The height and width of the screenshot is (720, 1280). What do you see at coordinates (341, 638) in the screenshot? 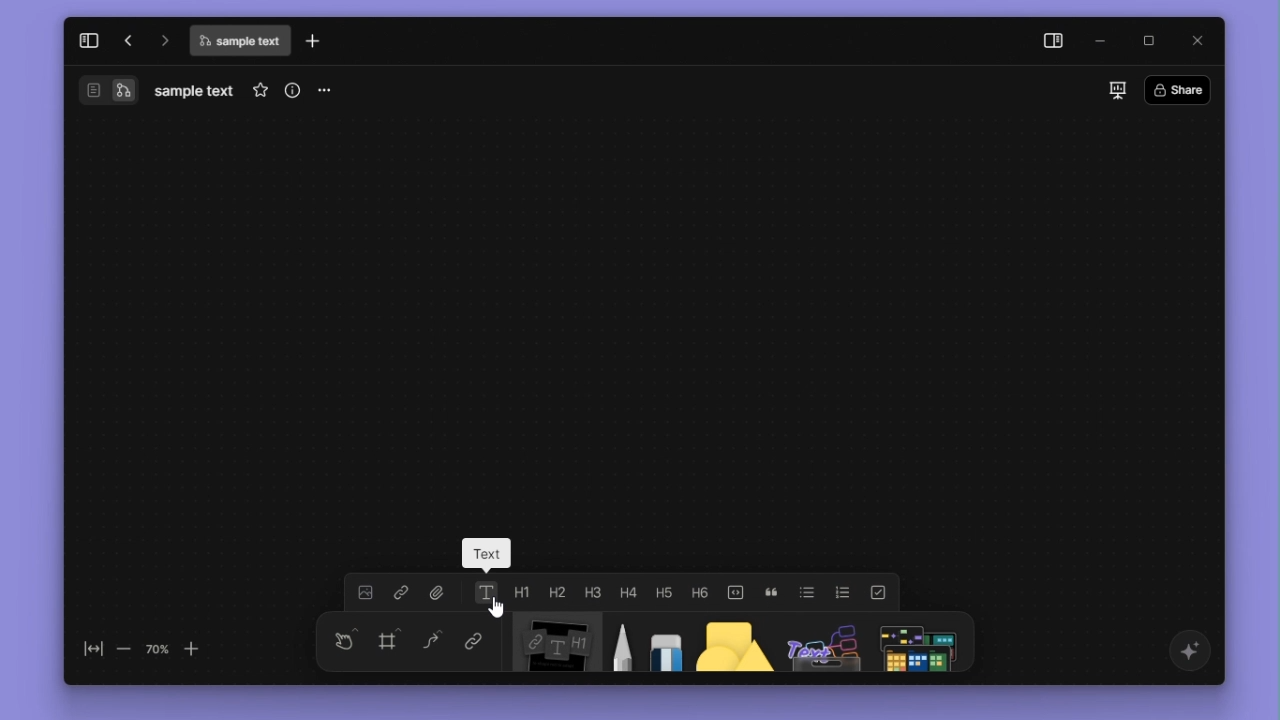
I see `Select V` at bounding box center [341, 638].